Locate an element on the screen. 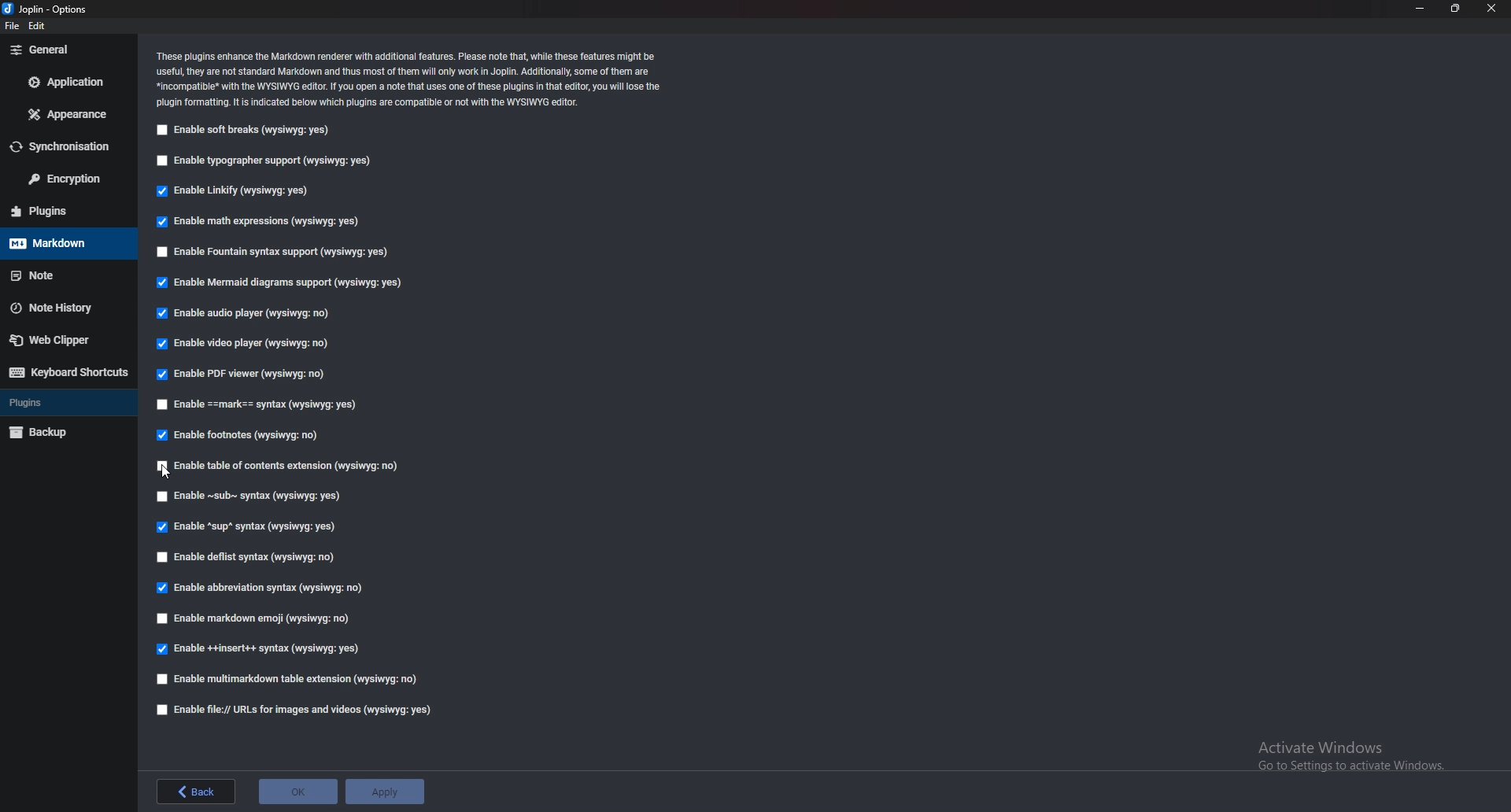  Enable sub syntax is located at coordinates (249, 497).